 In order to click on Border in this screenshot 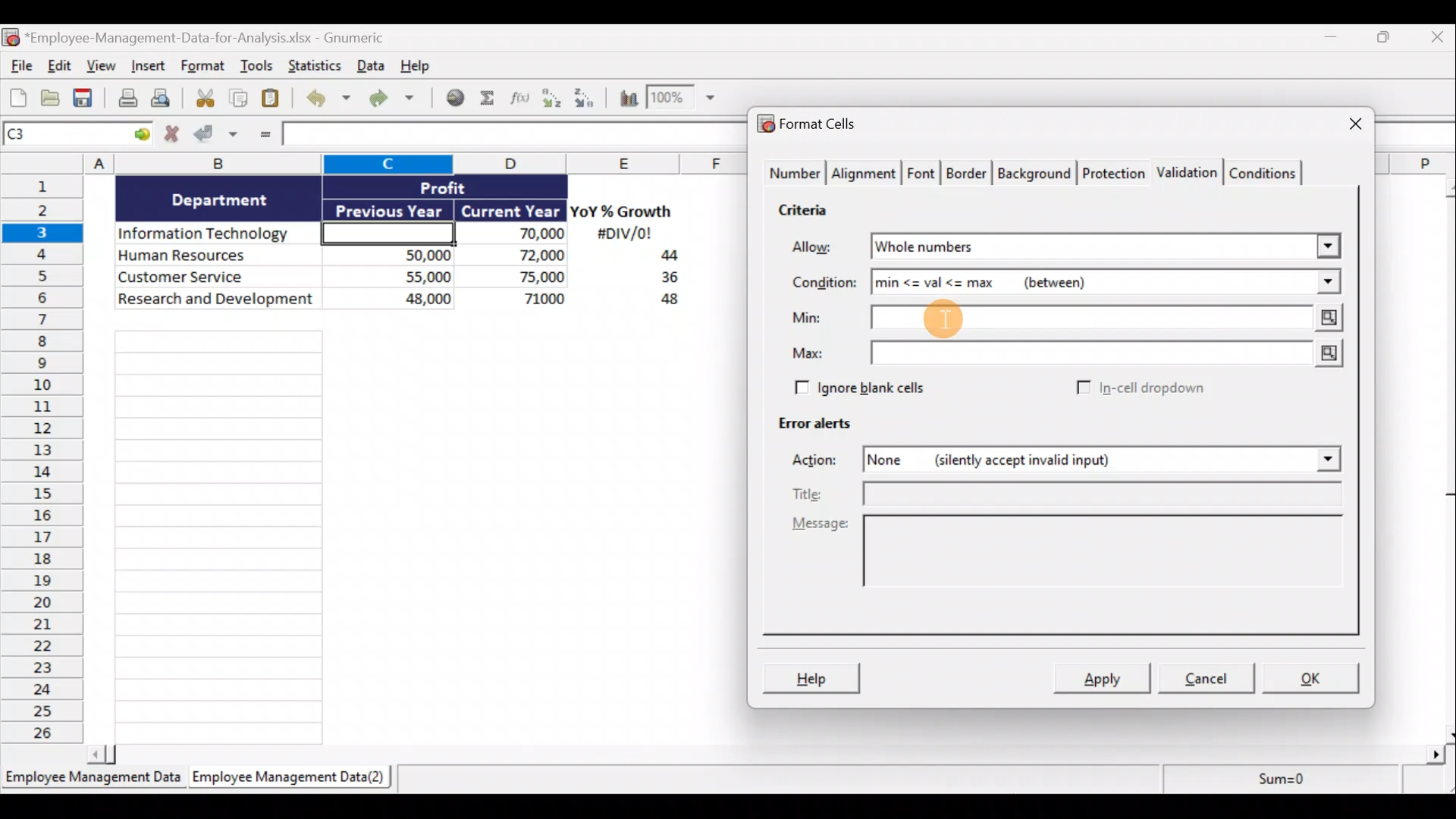, I will do `click(968, 174)`.